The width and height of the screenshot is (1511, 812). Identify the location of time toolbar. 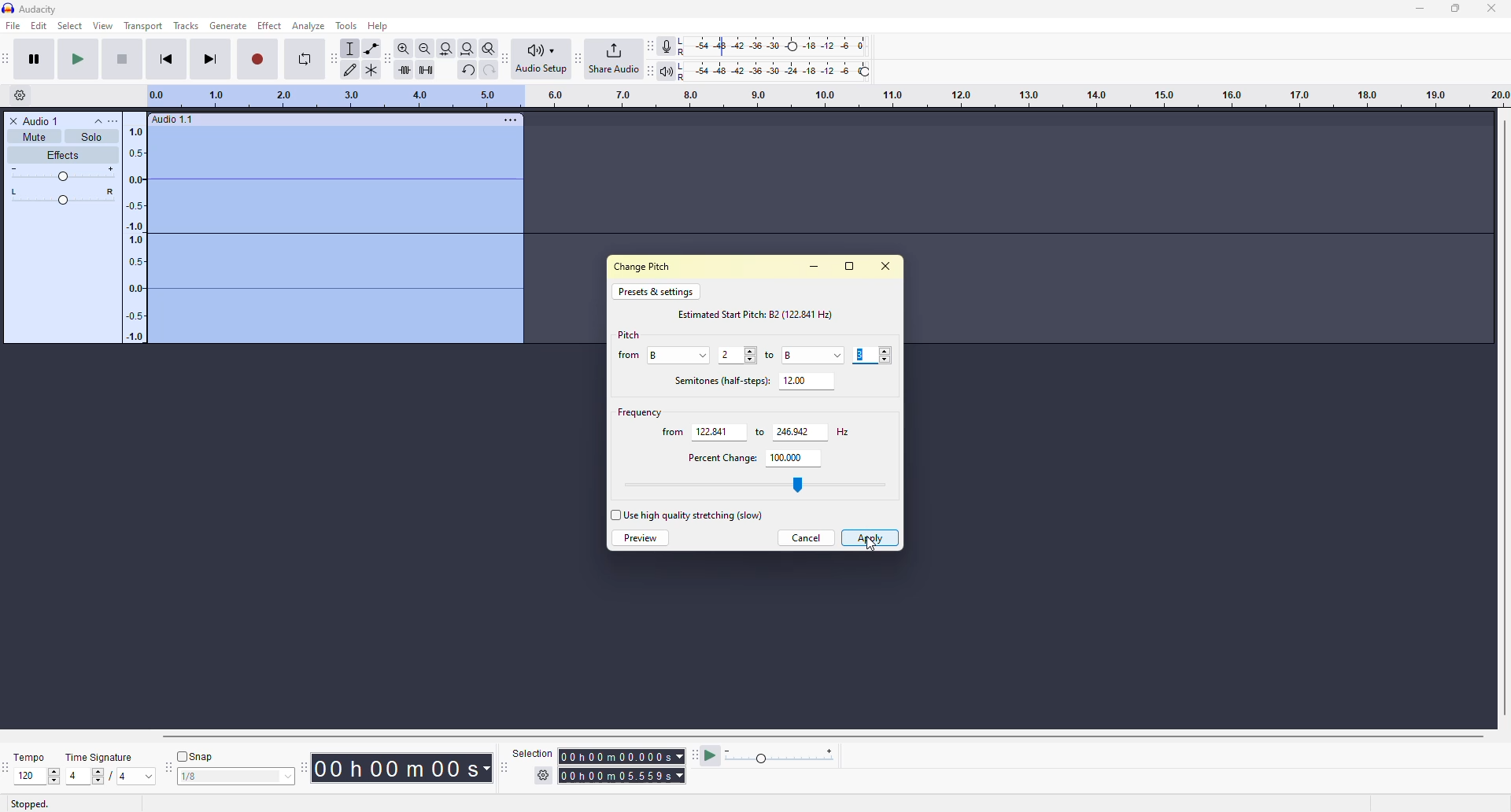
(307, 766).